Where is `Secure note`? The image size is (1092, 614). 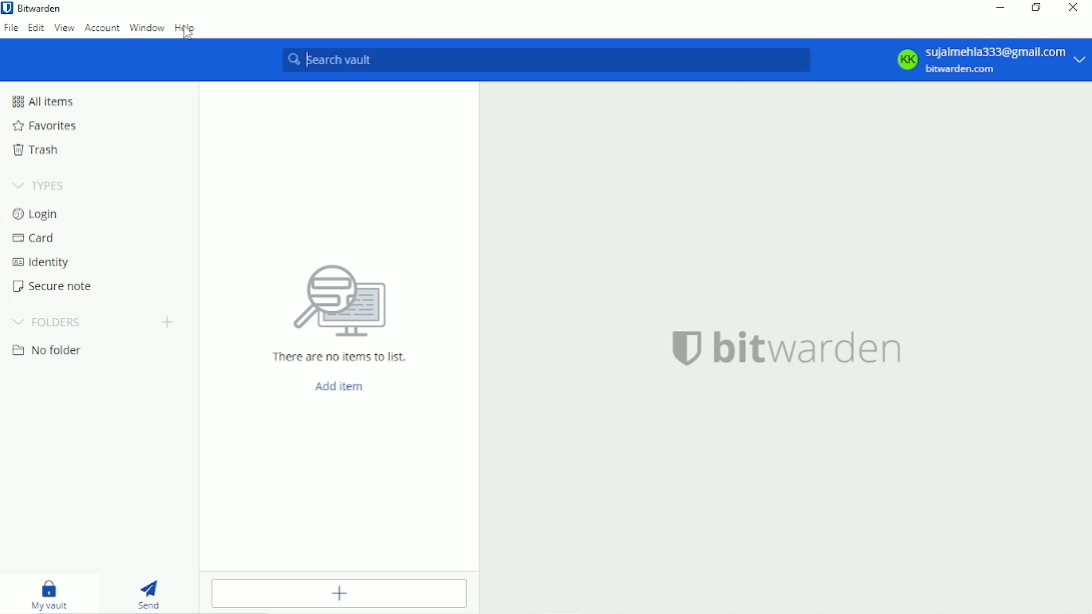 Secure note is located at coordinates (52, 286).